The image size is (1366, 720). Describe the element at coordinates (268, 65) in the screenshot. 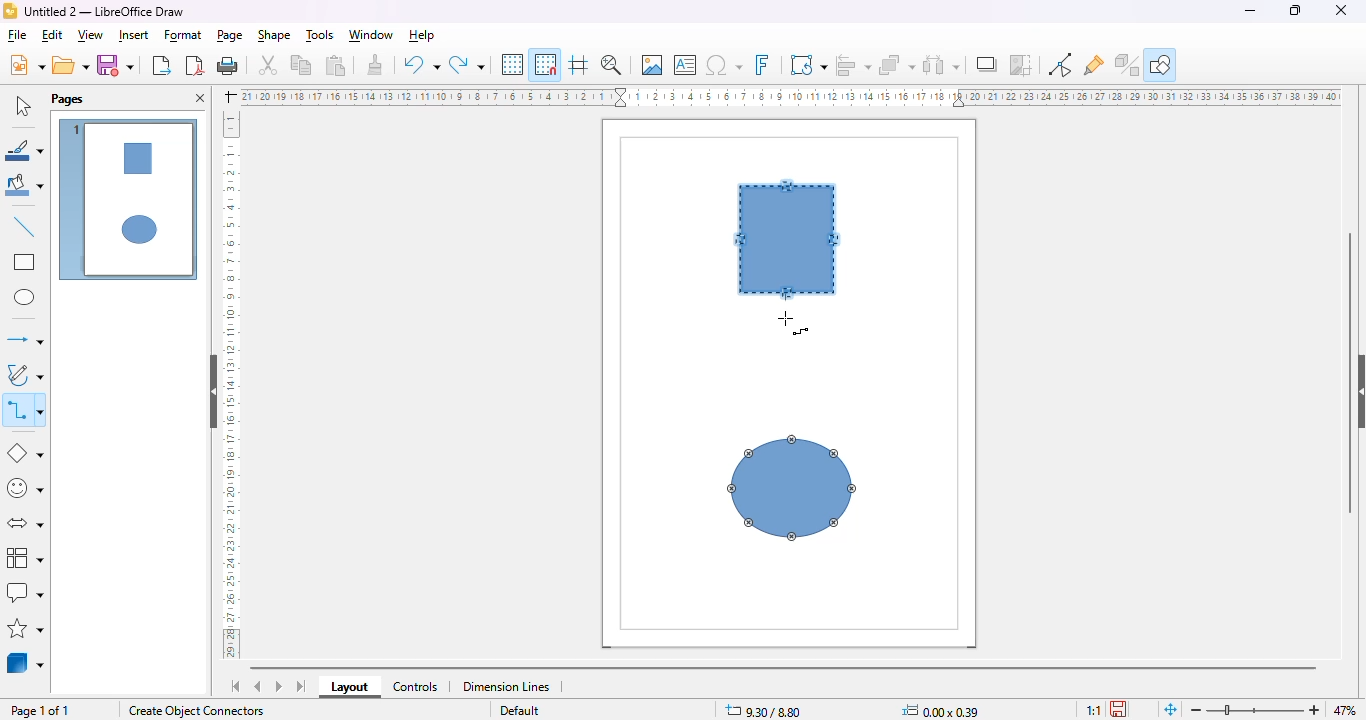

I see `cut` at that location.